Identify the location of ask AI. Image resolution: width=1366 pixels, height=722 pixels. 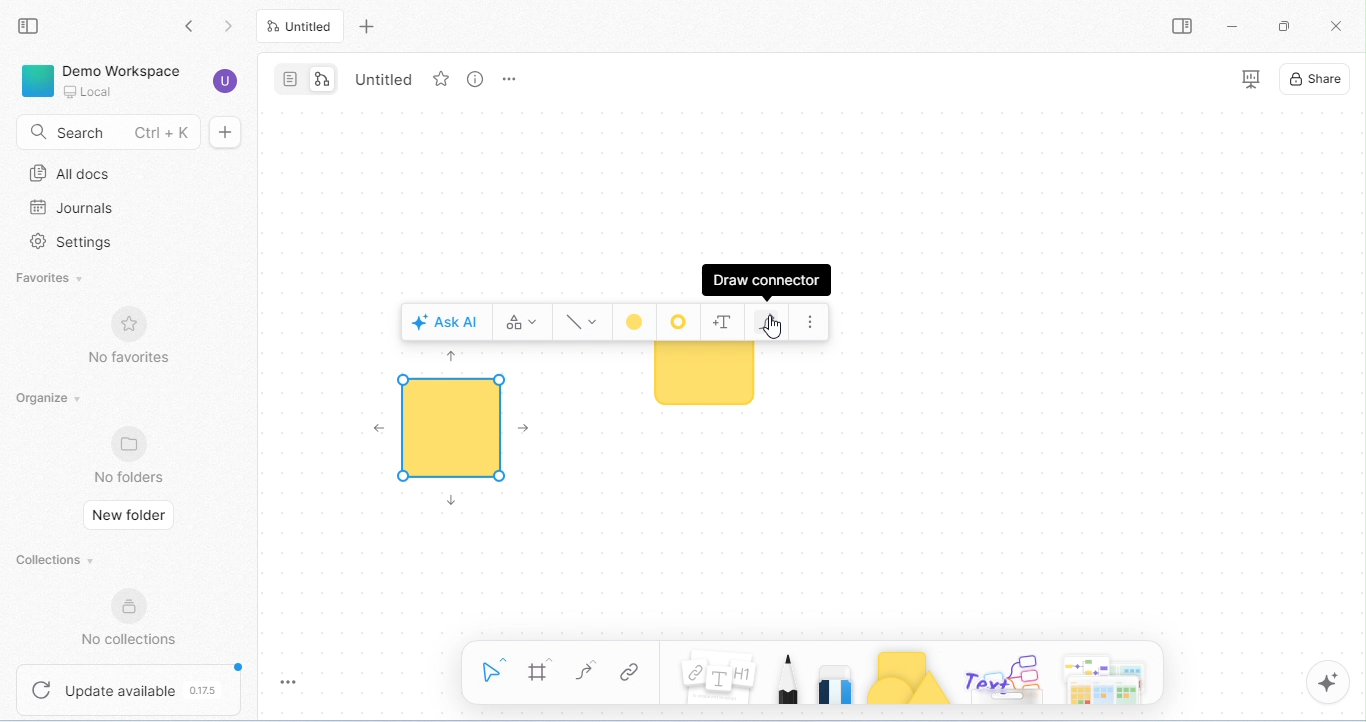
(445, 321).